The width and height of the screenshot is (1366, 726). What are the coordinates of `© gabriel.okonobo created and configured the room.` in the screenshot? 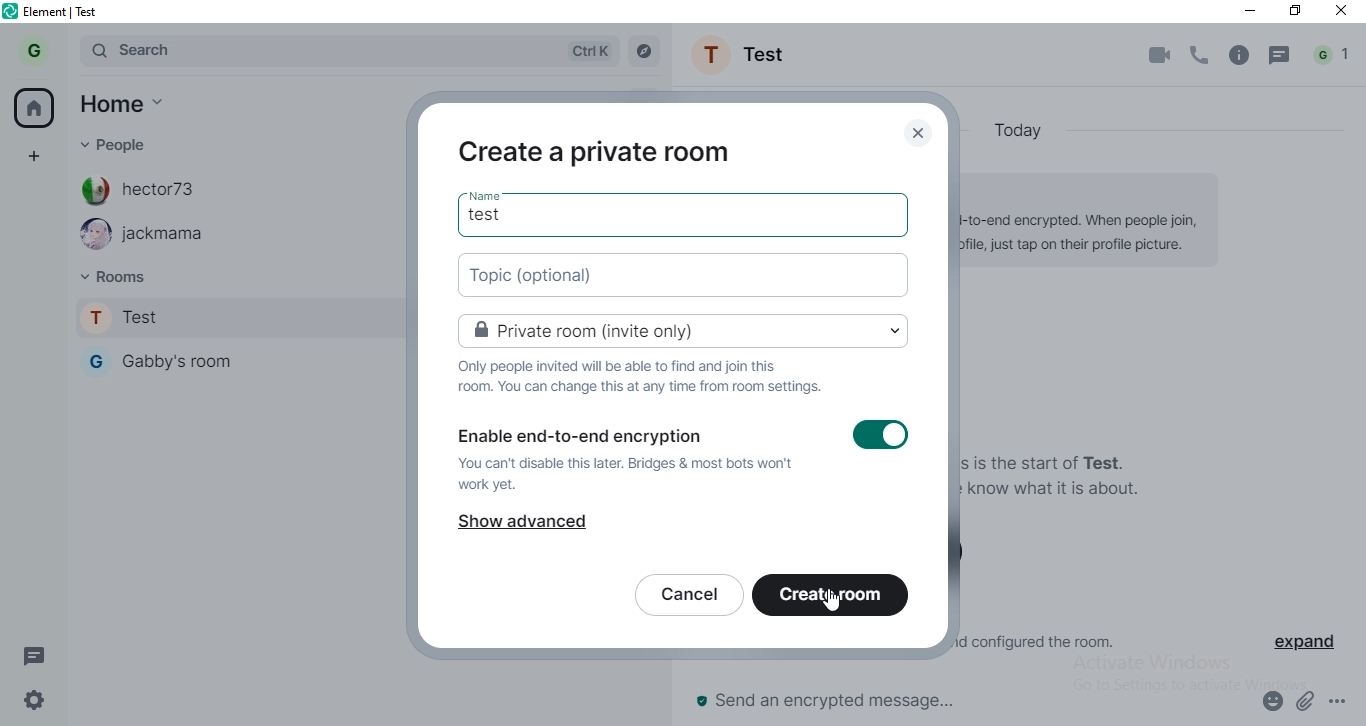 It's located at (1047, 640).